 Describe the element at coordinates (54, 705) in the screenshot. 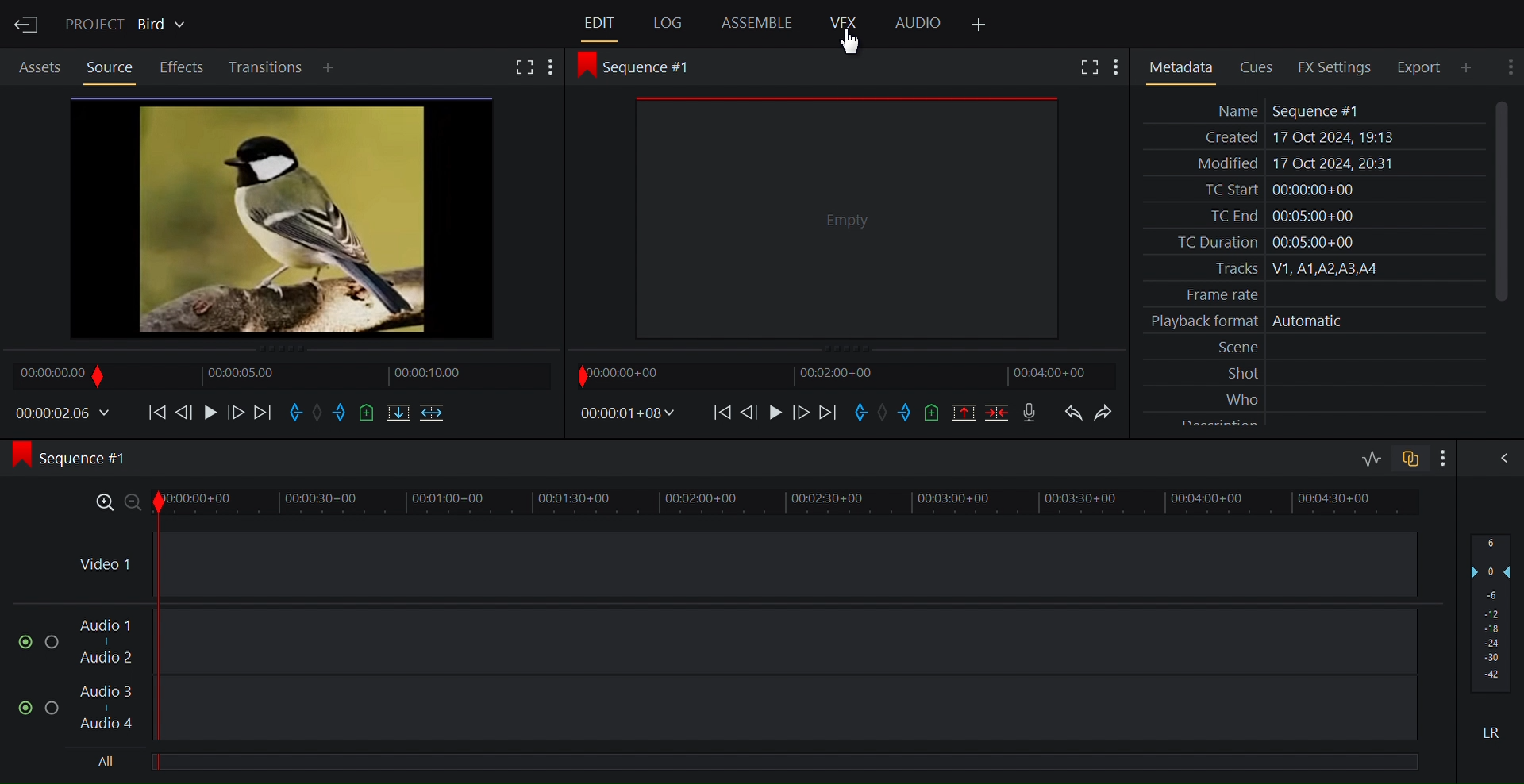

I see `Solo this track` at that location.